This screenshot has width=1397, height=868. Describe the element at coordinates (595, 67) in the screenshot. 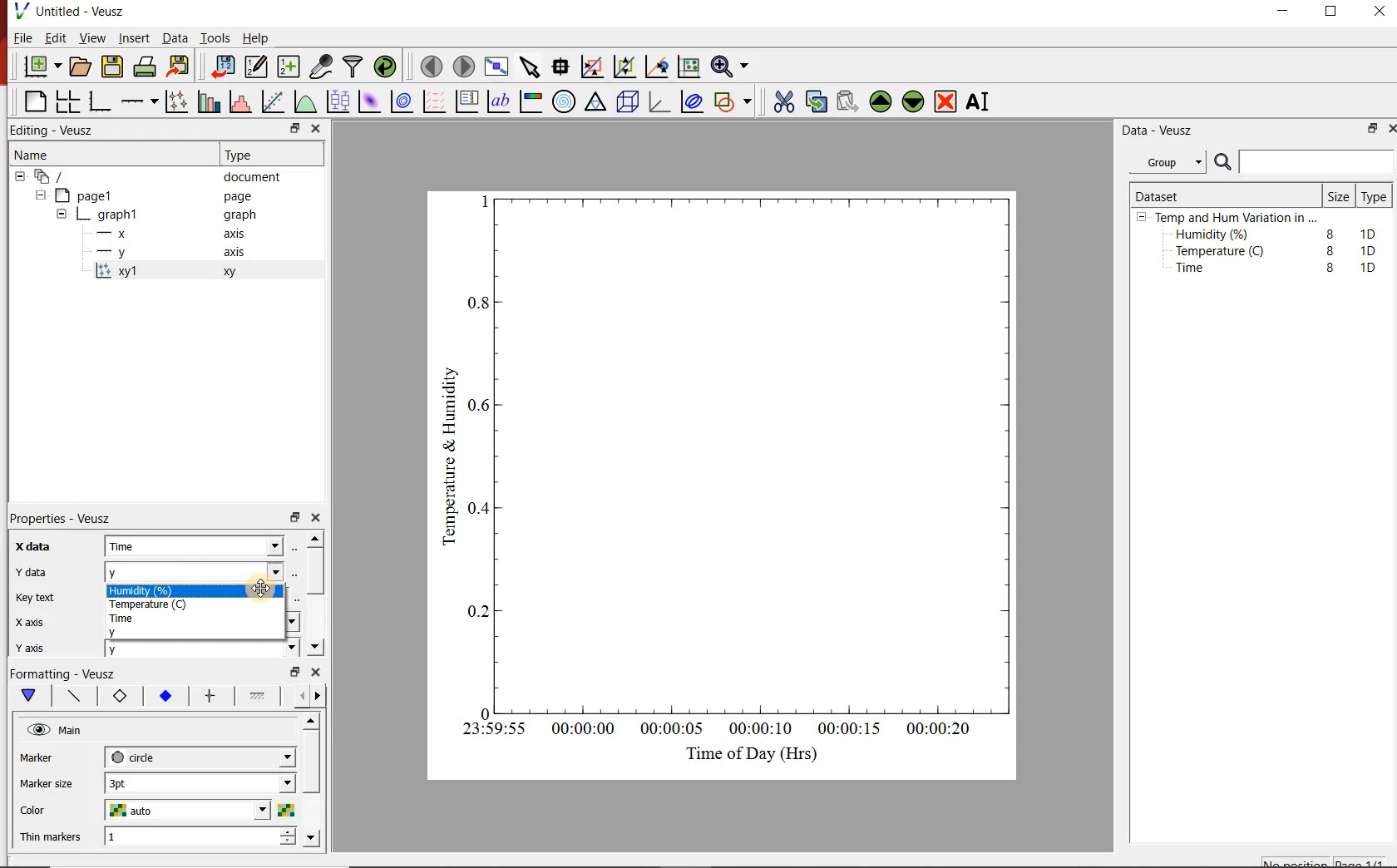

I see `click or draw a rectangle to zoom graph axes` at that location.